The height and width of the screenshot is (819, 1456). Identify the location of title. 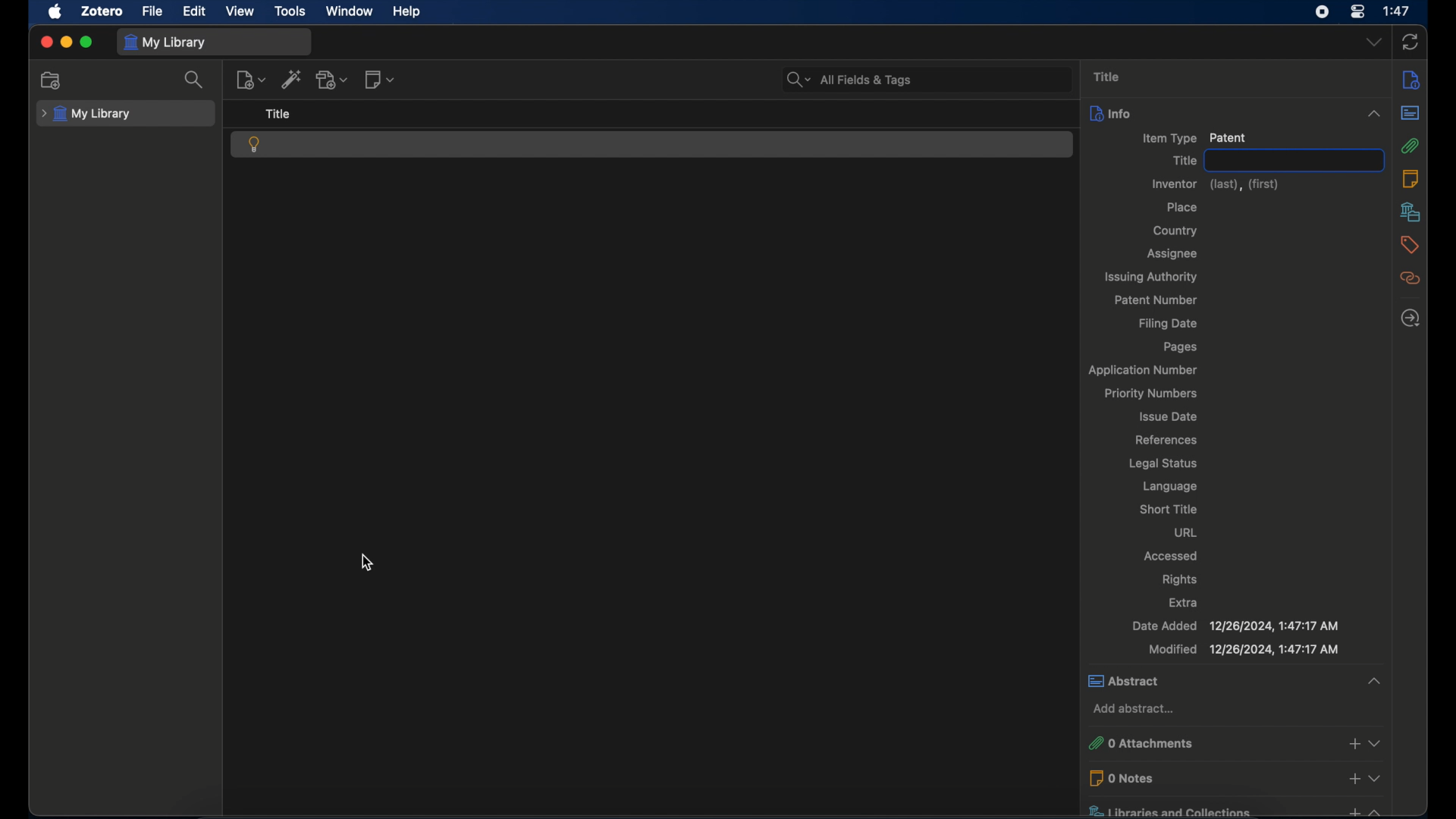
(279, 114).